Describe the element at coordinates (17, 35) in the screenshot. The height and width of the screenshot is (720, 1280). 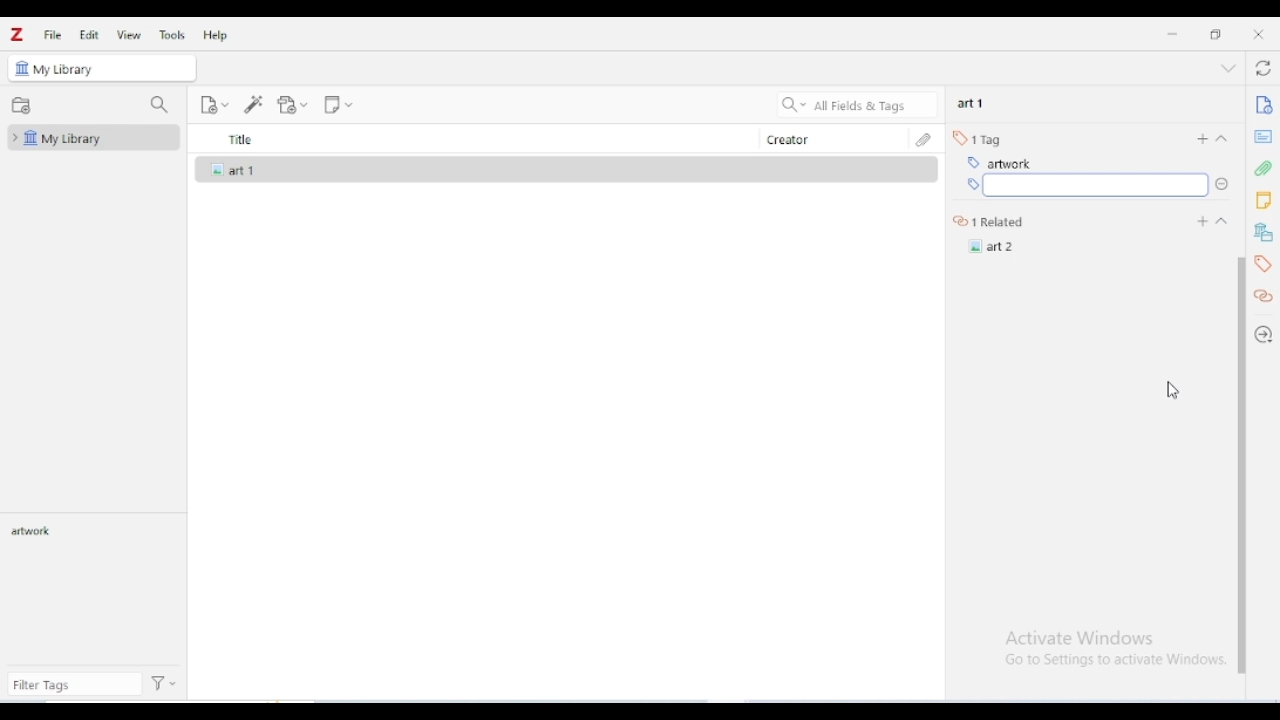
I see `logo` at that location.